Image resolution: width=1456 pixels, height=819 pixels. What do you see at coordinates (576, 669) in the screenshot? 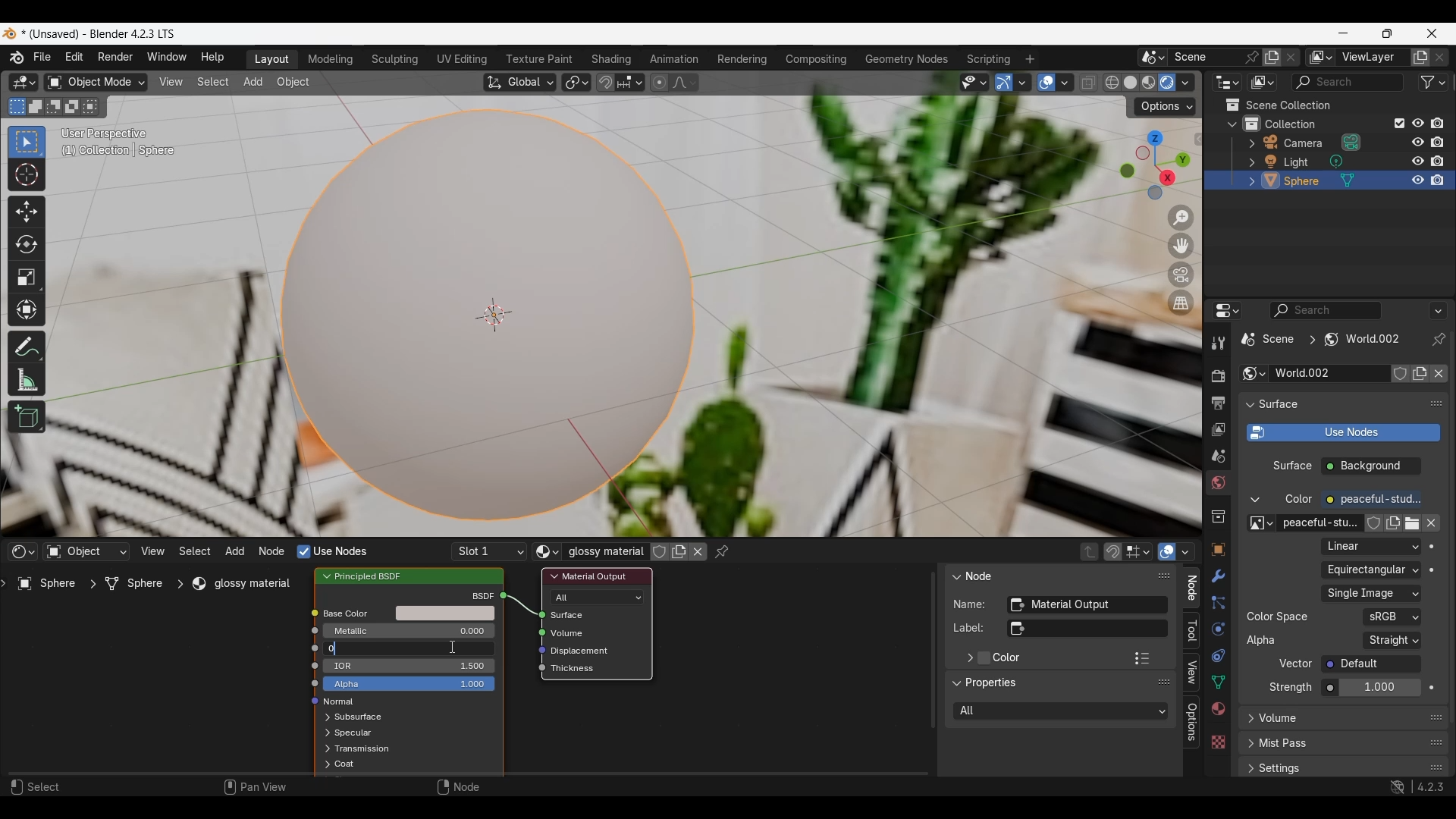
I see `Thickness` at bounding box center [576, 669].